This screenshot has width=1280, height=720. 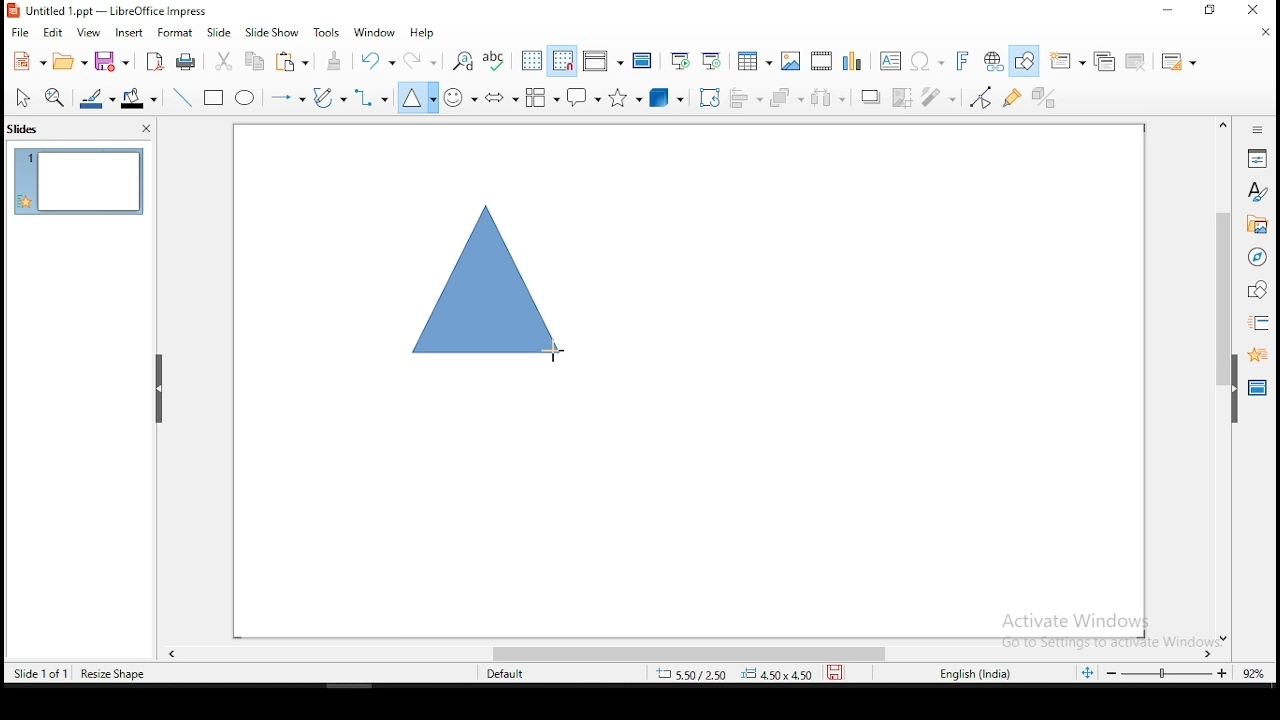 I want to click on fit to slide, so click(x=1091, y=676).